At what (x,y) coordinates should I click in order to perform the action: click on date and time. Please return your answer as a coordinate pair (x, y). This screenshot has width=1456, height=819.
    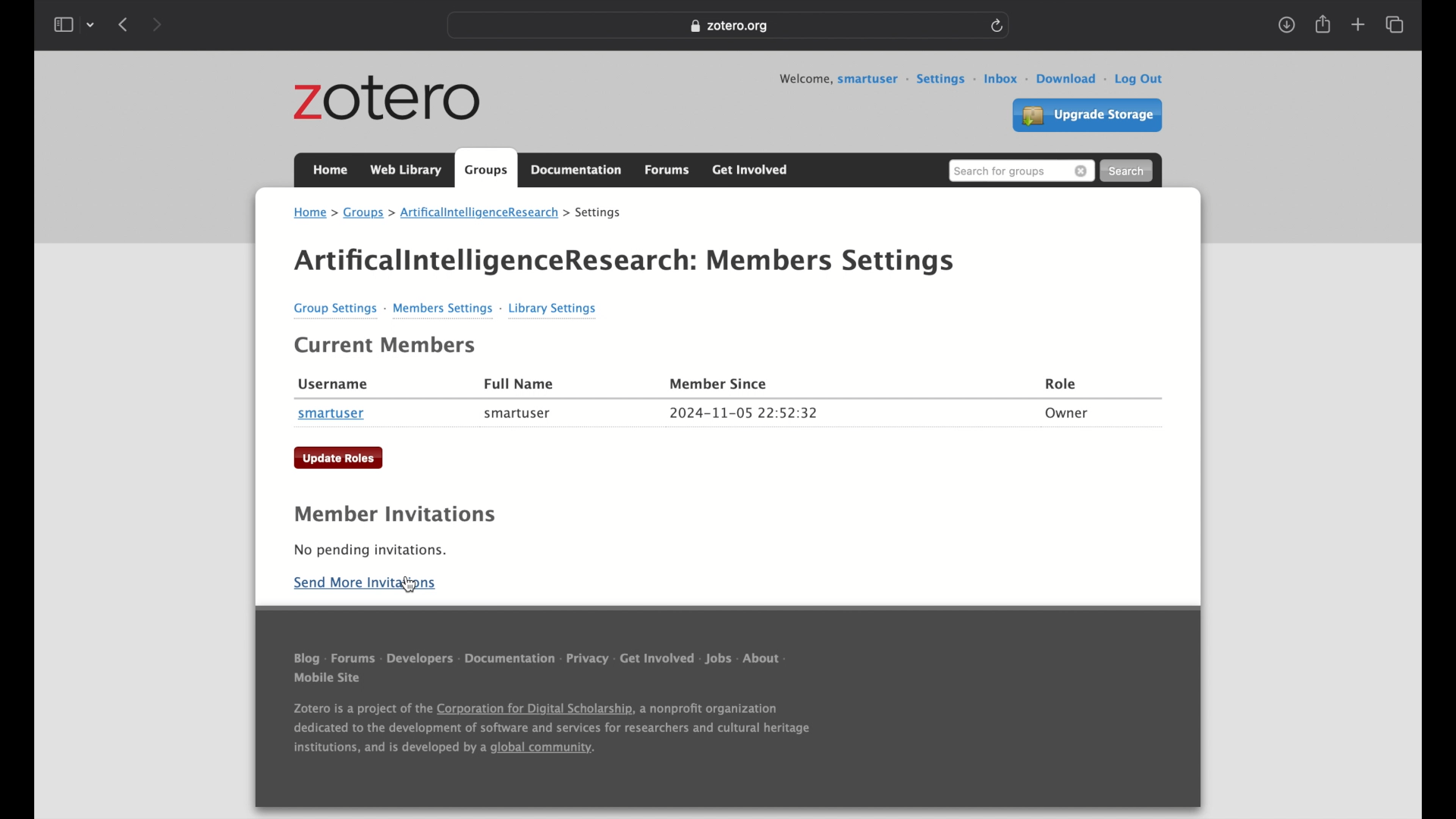
    Looking at the image, I should click on (744, 413).